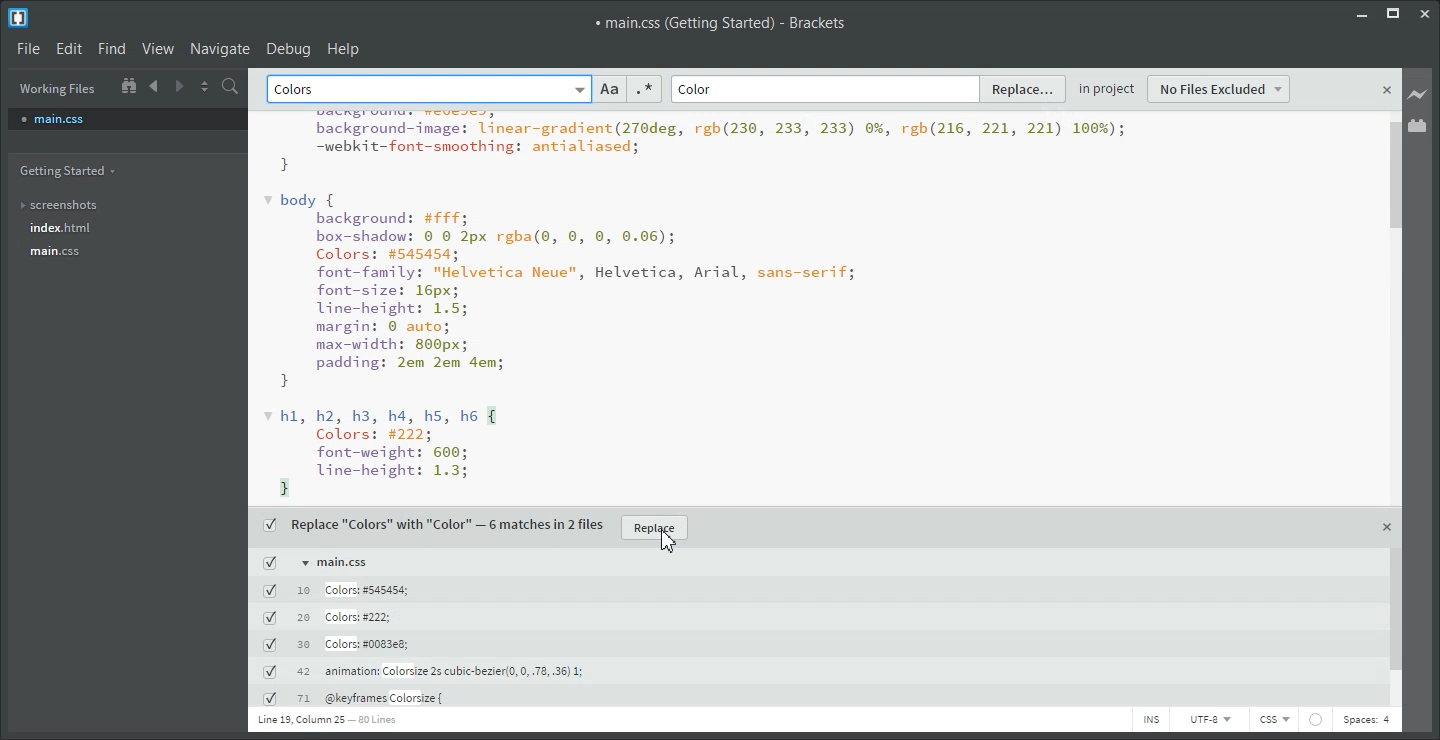  I want to click on Extension Manager, so click(1418, 125).